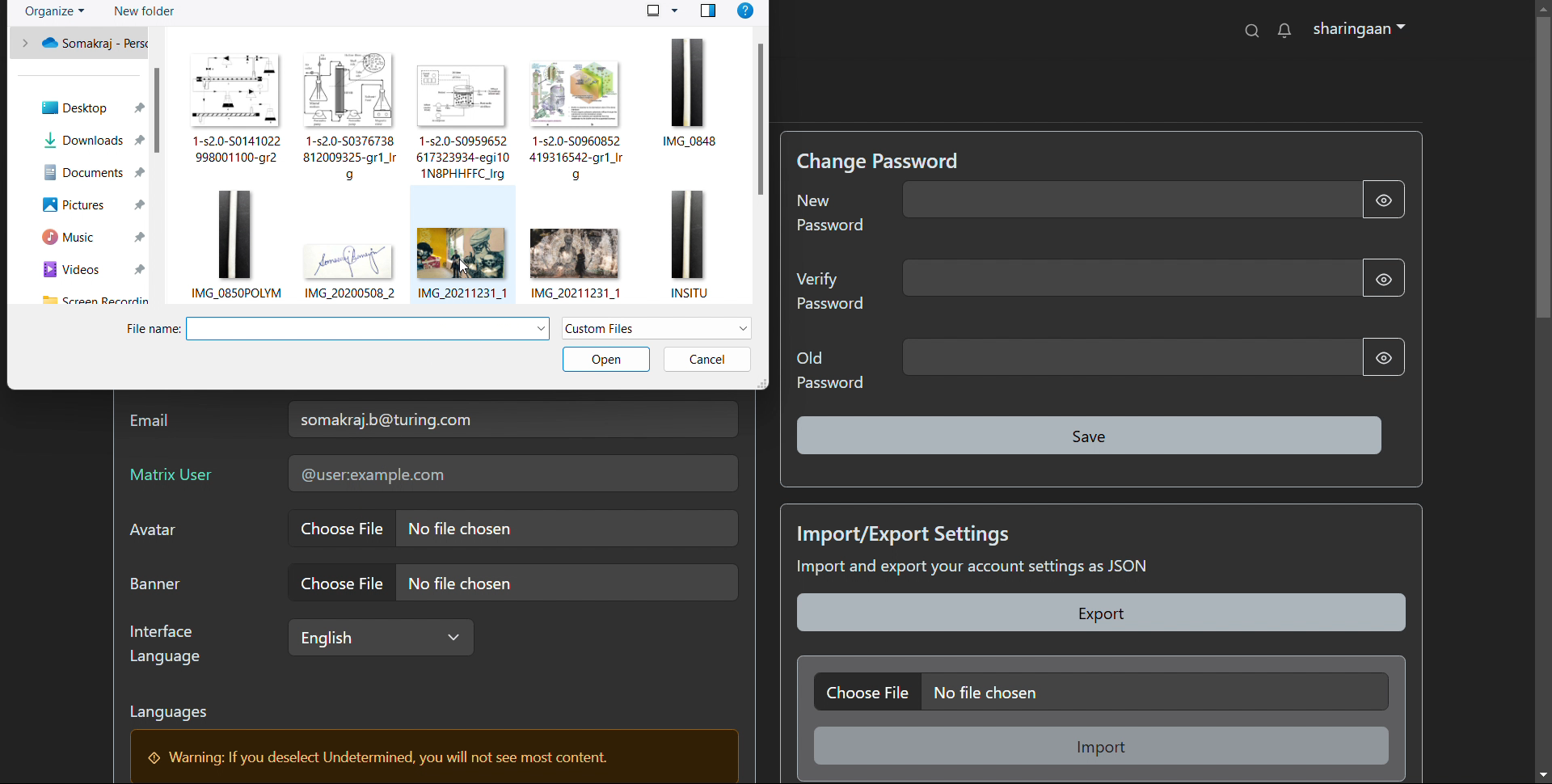 The width and height of the screenshot is (1552, 784). Describe the element at coordinates (95, 140) in the screenshot. I see `Downloads` at that location.